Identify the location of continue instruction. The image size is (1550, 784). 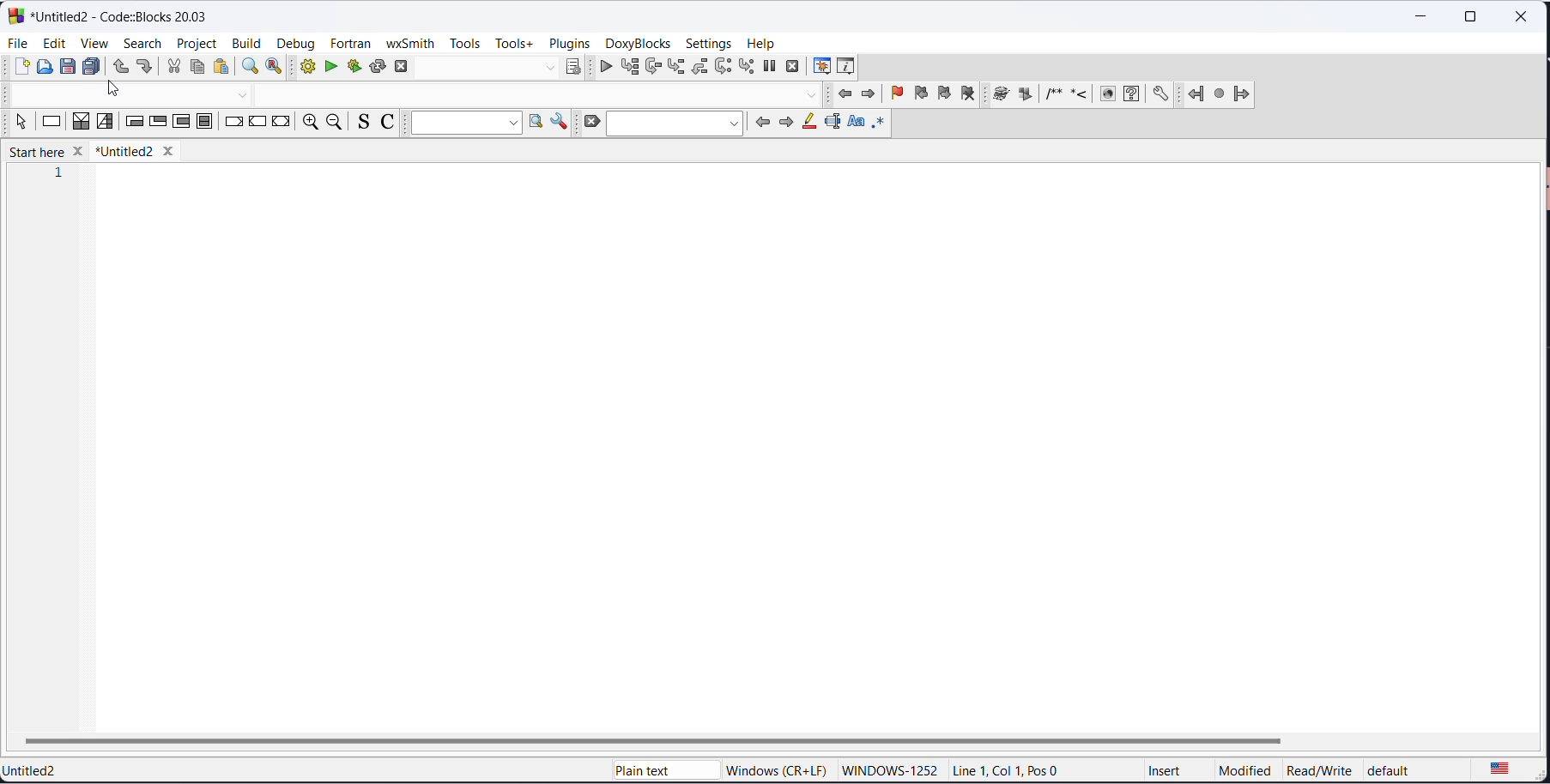
(258, 125).